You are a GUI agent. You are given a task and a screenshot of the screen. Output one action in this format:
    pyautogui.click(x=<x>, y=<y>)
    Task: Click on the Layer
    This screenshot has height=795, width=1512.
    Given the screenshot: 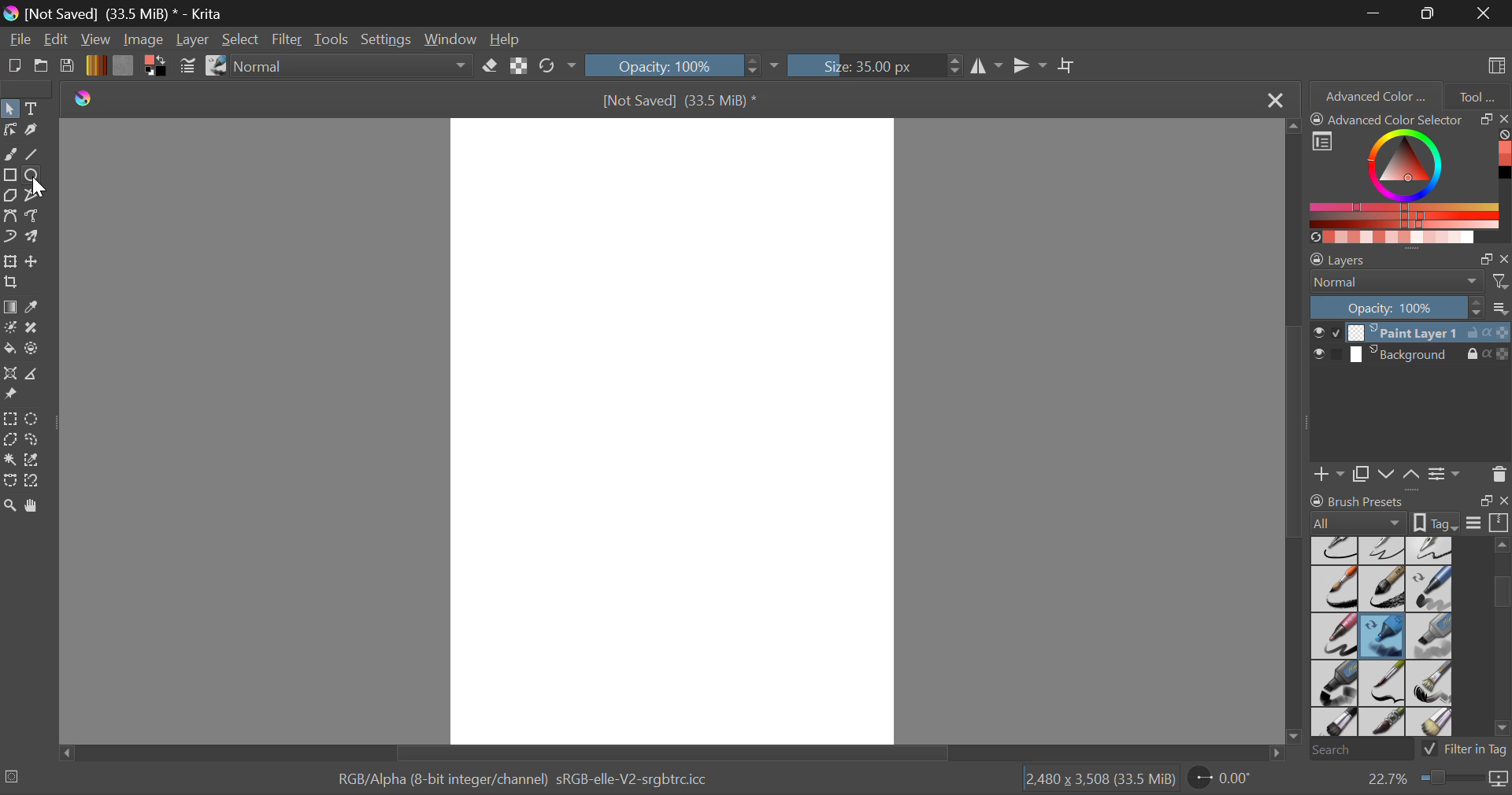 What is the action you would take?
    pyautogui.click(x=192, y=39)
    